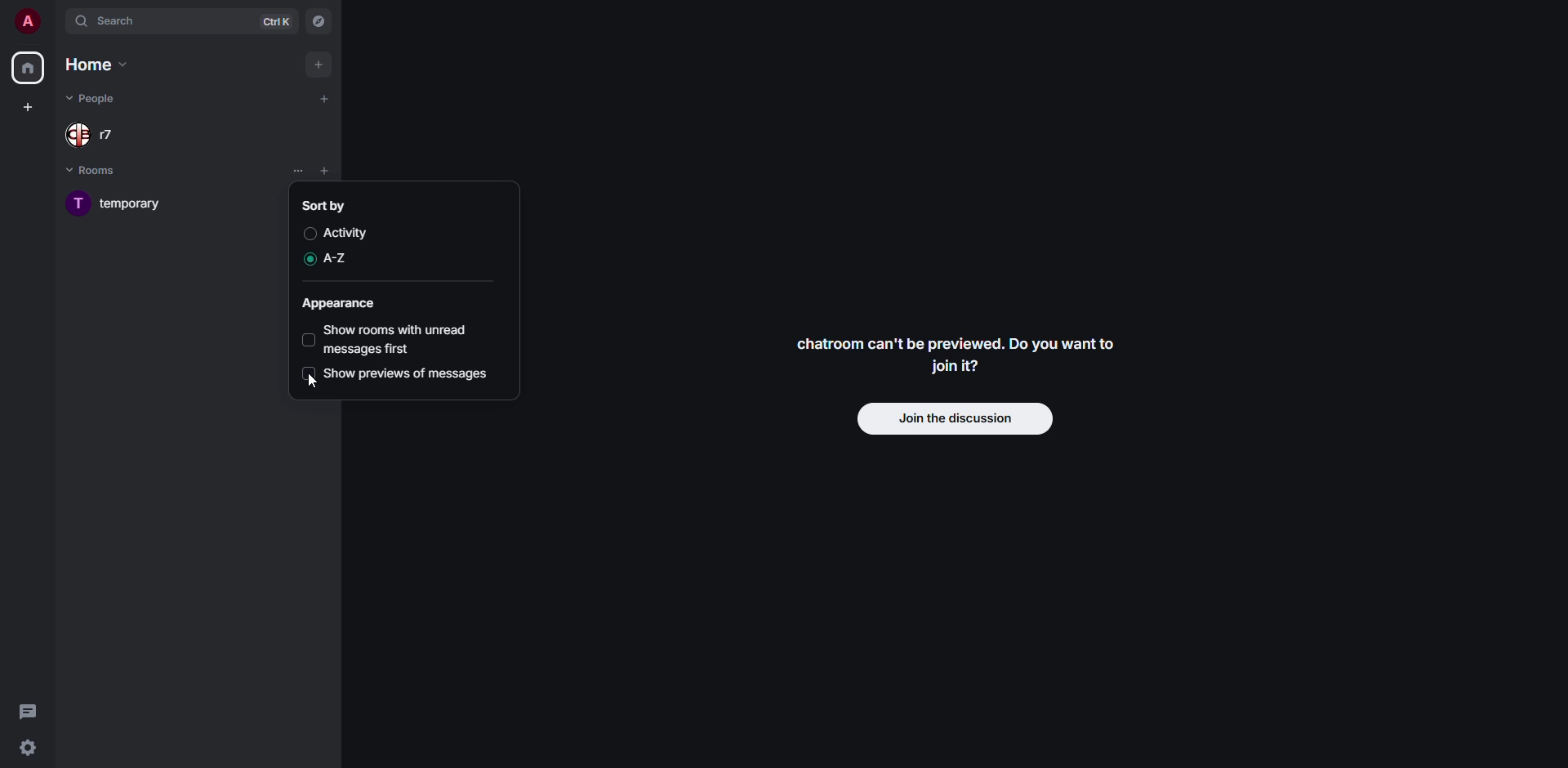 The height and width of the screenshot is (768, 1568). What do you see at coordinates (317, 23) in the screenshot?
I see `navigator` at bounding box center [317, 23].